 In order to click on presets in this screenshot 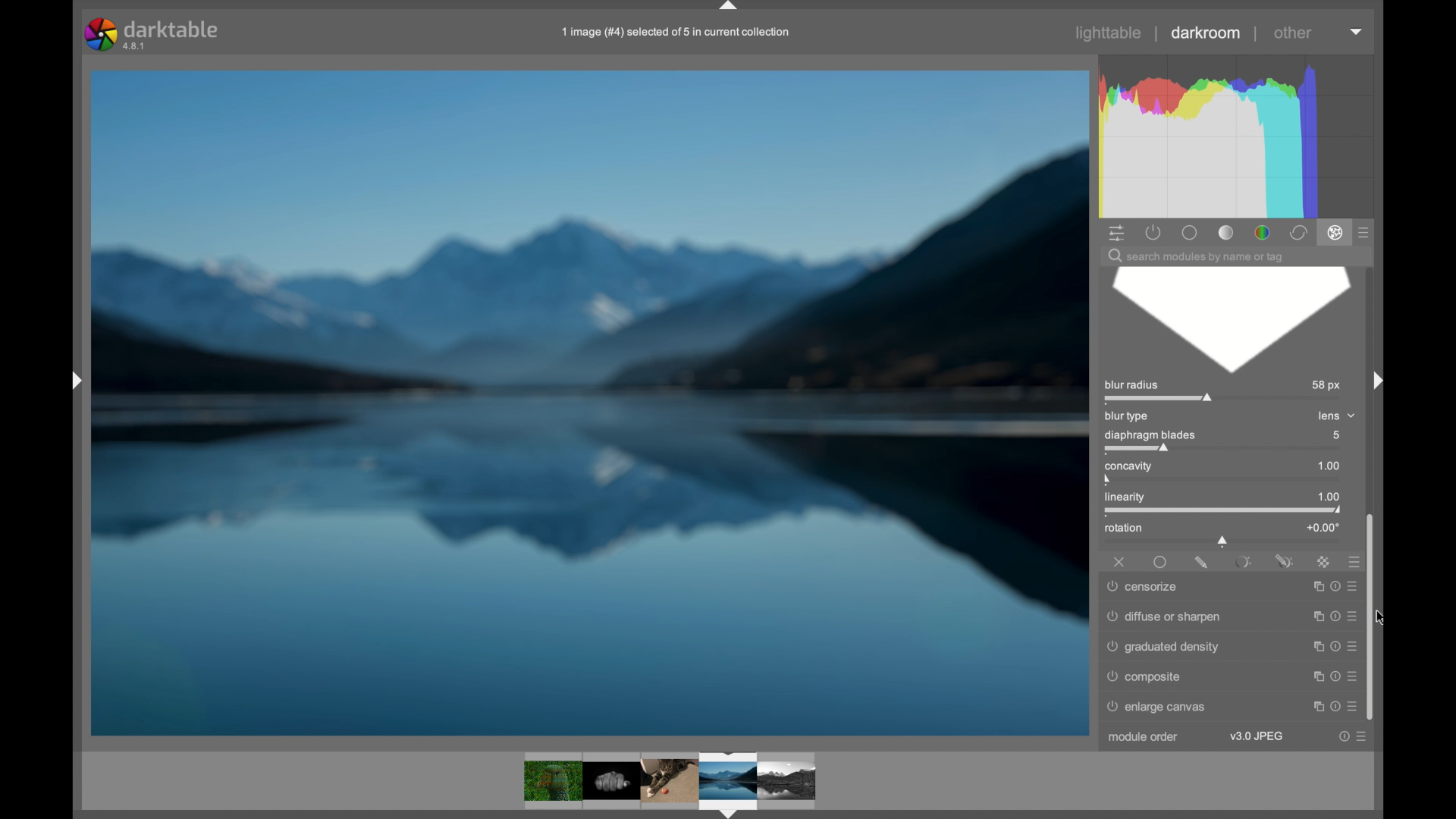, I will do `click(1350, 561)`.